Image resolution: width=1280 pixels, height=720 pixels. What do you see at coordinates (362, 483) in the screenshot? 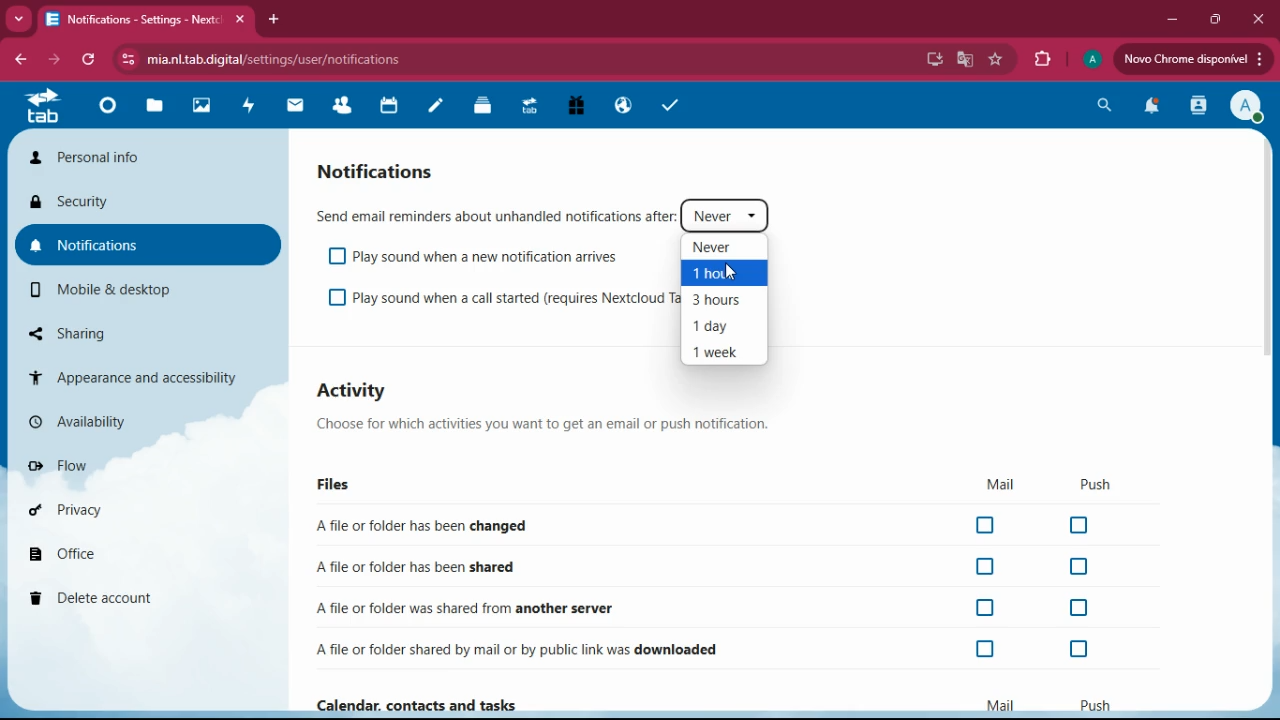
I see `files` at bounding box center [362, 483].